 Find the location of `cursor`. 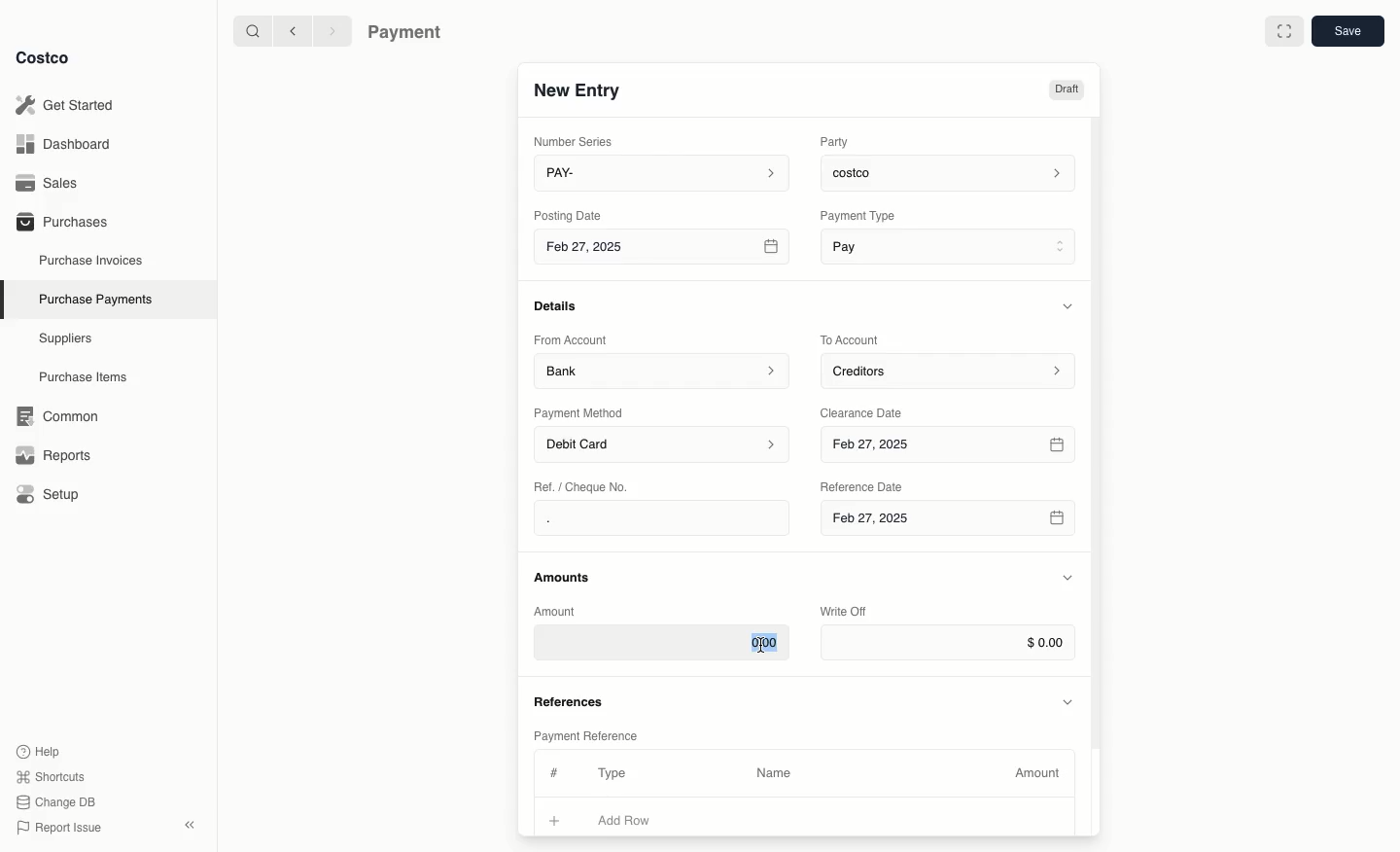

cursor is located at coordinates (759, 645).